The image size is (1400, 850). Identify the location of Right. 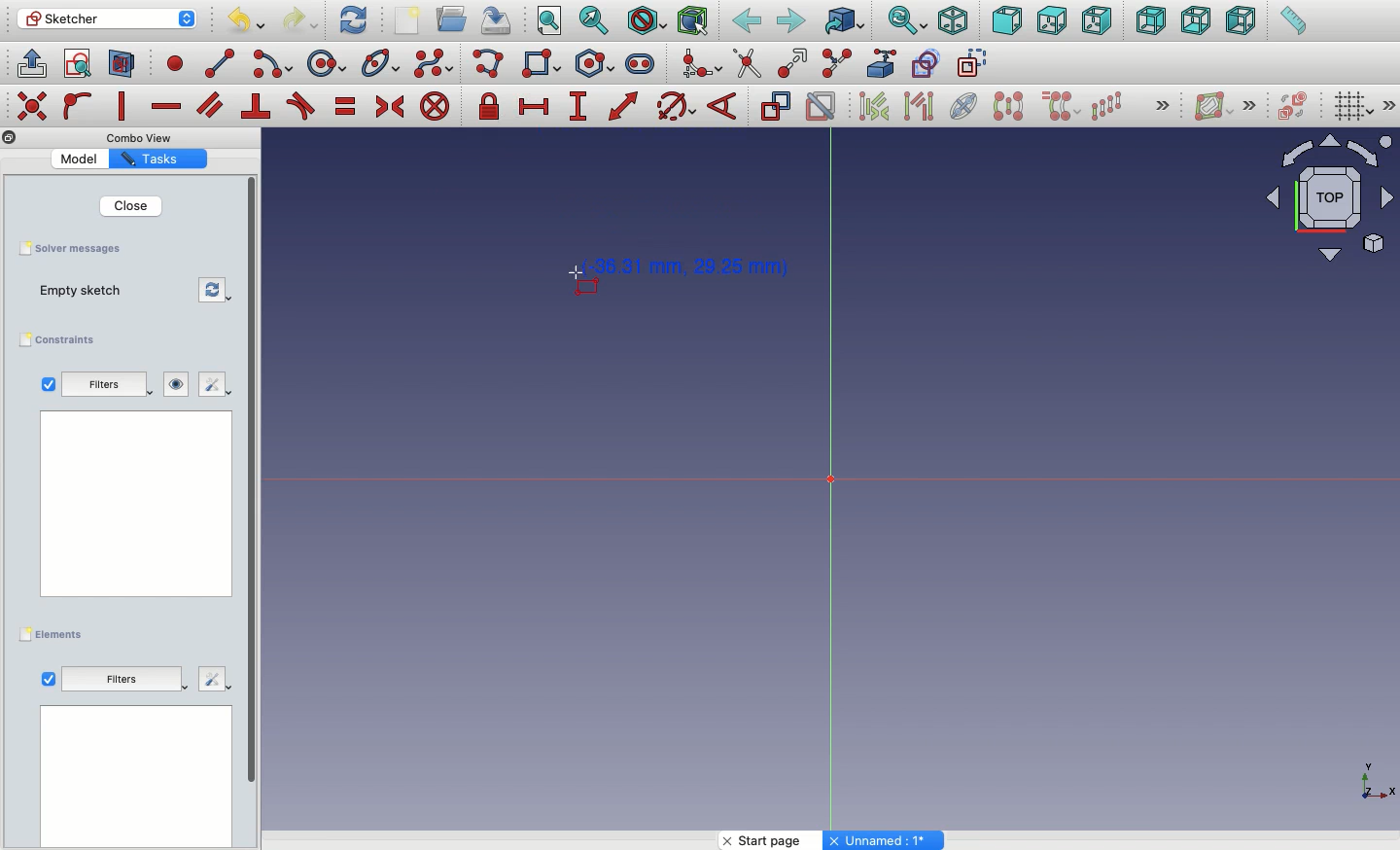
(1100, 20).